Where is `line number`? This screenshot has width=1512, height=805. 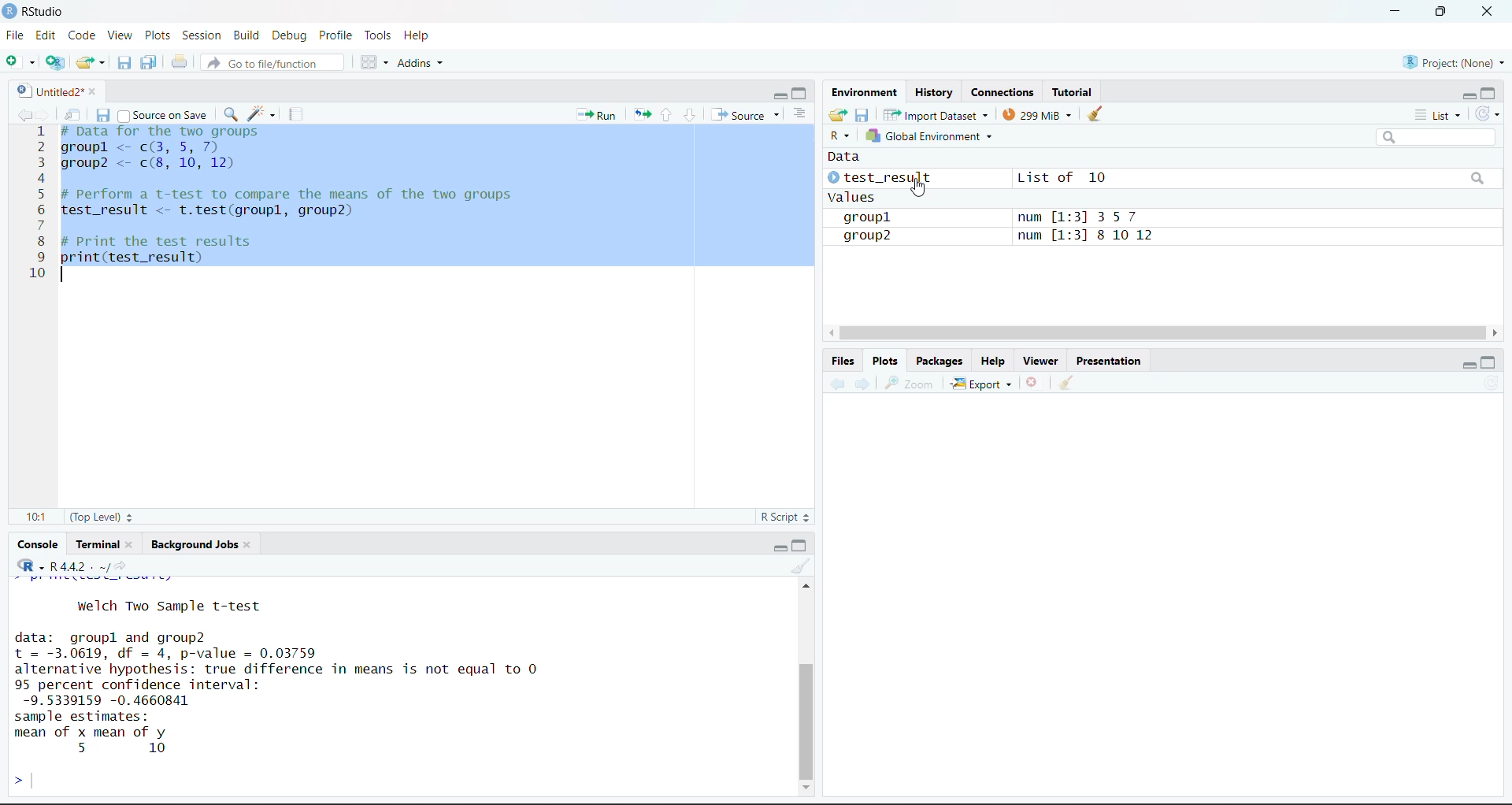
line number is located at coordinates (41, 203).